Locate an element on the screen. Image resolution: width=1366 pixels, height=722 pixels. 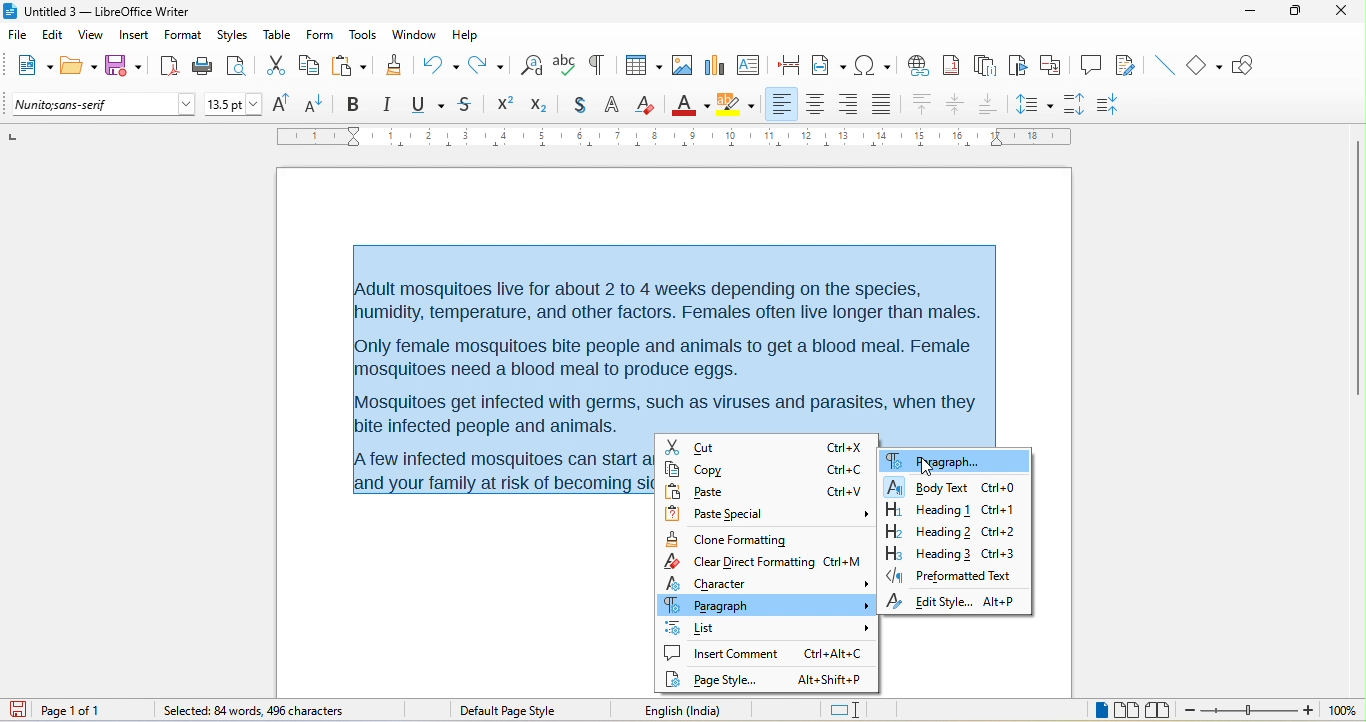
cut is located at coordinates (725, 448).